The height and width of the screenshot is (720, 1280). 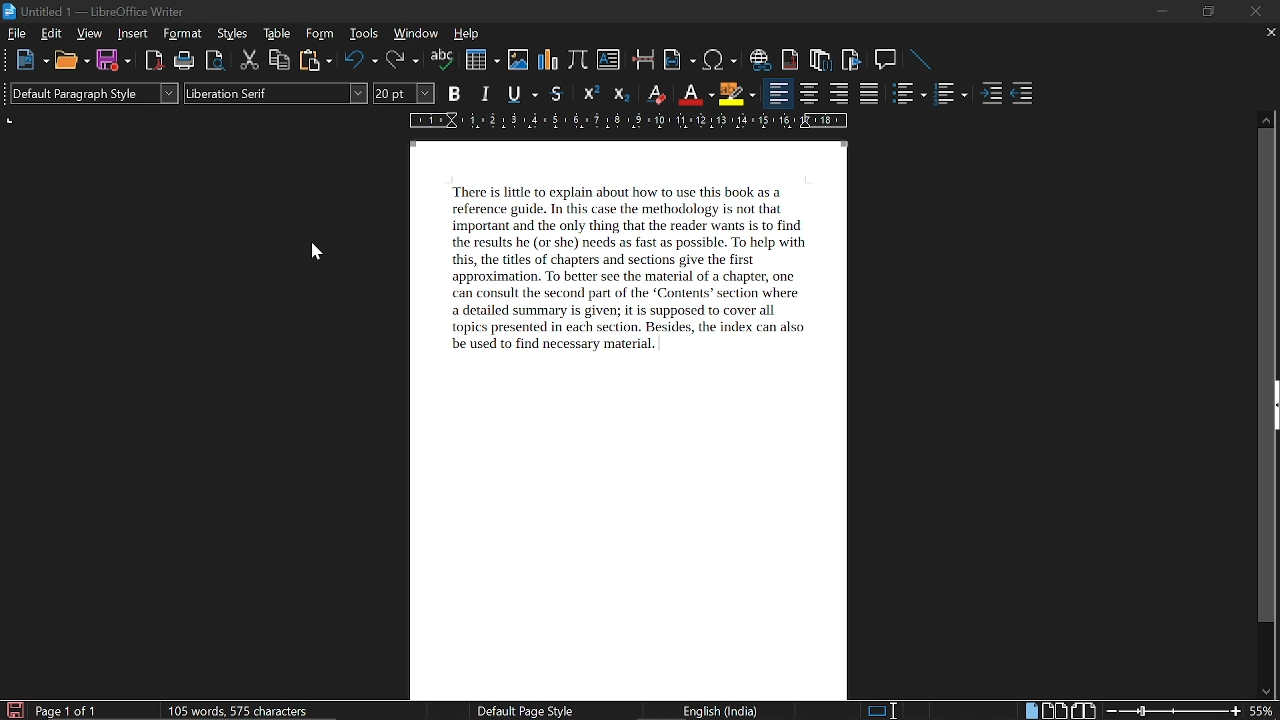 What do you see at coordinates (404, 93) in the screenshot?
I see `font size` at bounding box center [404, 93].